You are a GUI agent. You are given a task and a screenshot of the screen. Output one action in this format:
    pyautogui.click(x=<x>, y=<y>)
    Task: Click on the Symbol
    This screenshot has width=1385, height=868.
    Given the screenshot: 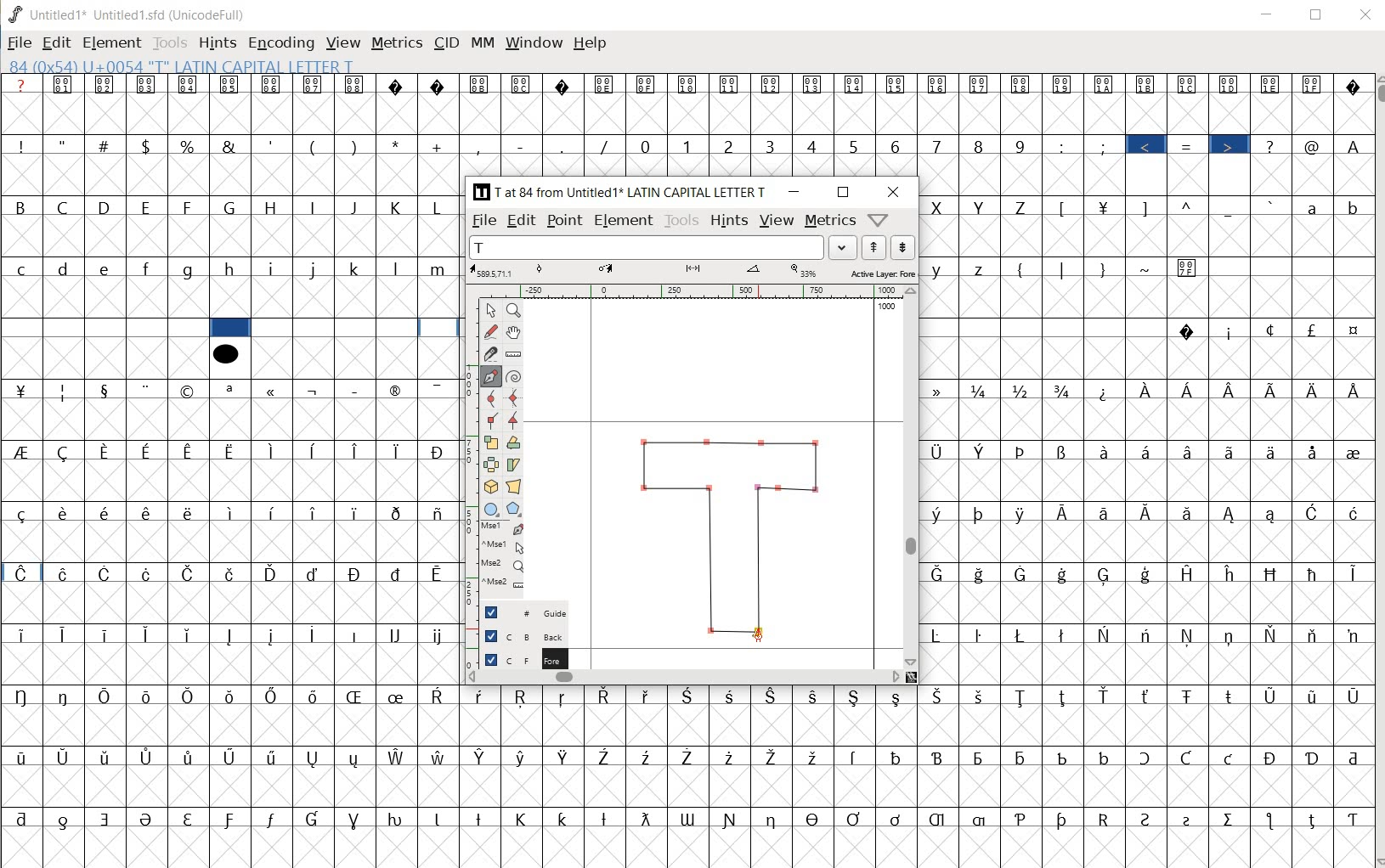 What is the action you would take?
    pyautogui.click(x=773, y=818)
    